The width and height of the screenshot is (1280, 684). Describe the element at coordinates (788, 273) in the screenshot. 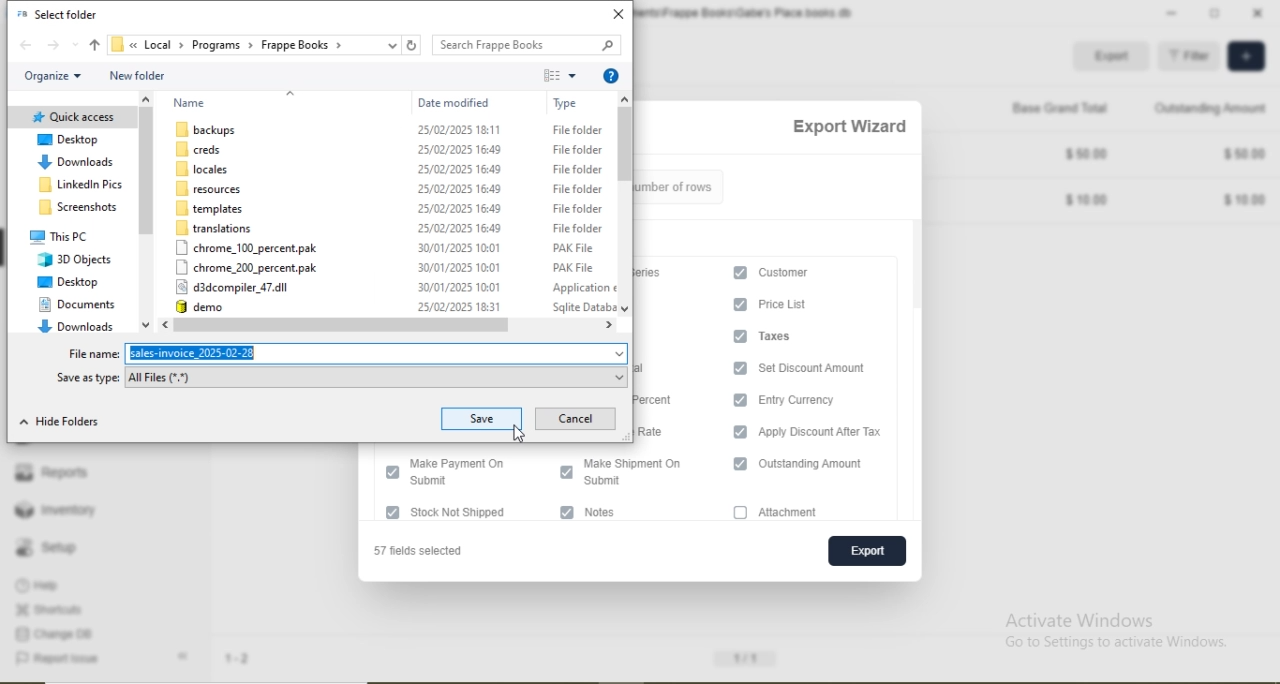

I see `Customer` at that location.